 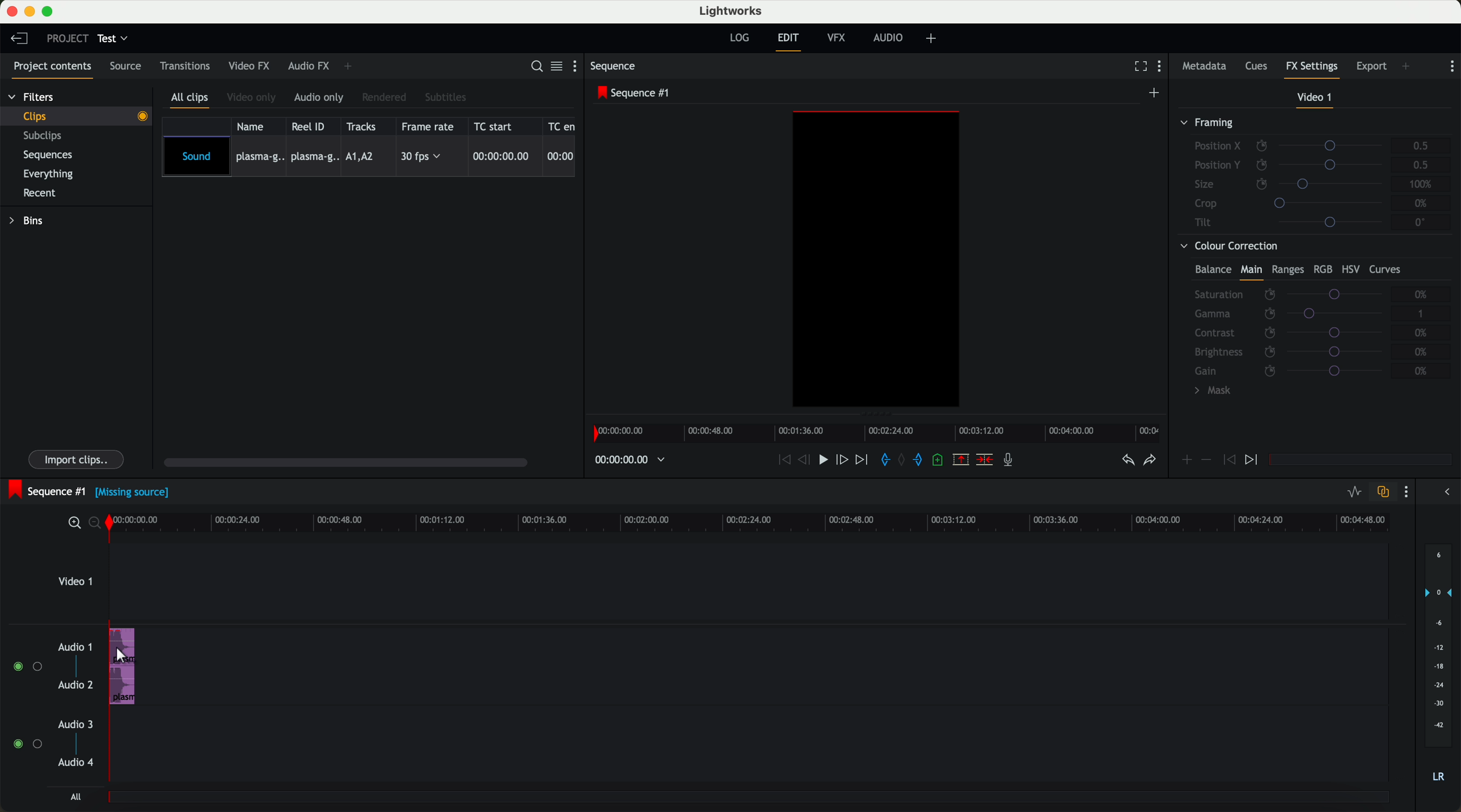 I want to click on add a cue at the current position, so click(x=941, y=462).